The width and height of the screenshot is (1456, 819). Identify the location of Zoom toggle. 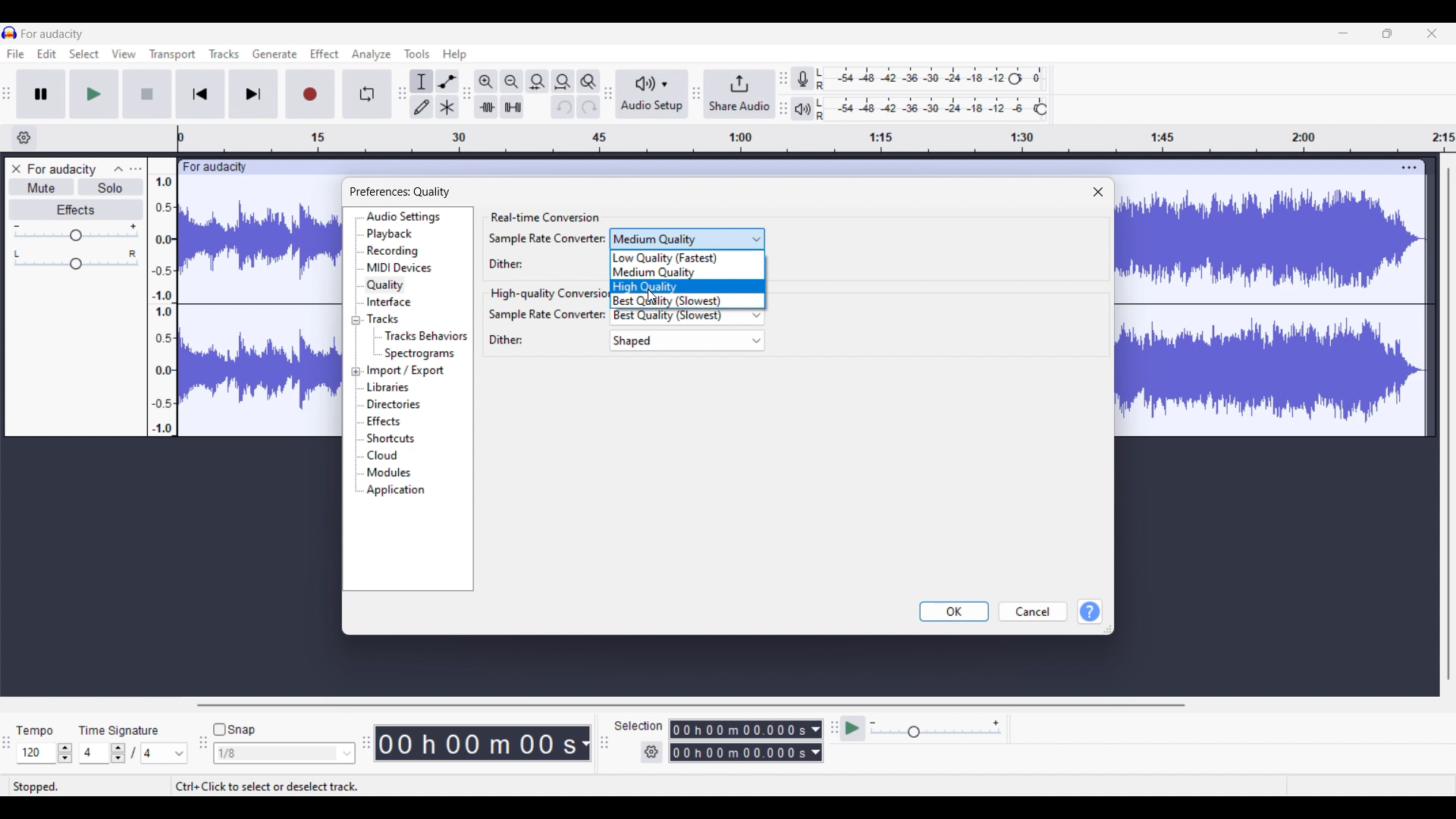
(588, 82).